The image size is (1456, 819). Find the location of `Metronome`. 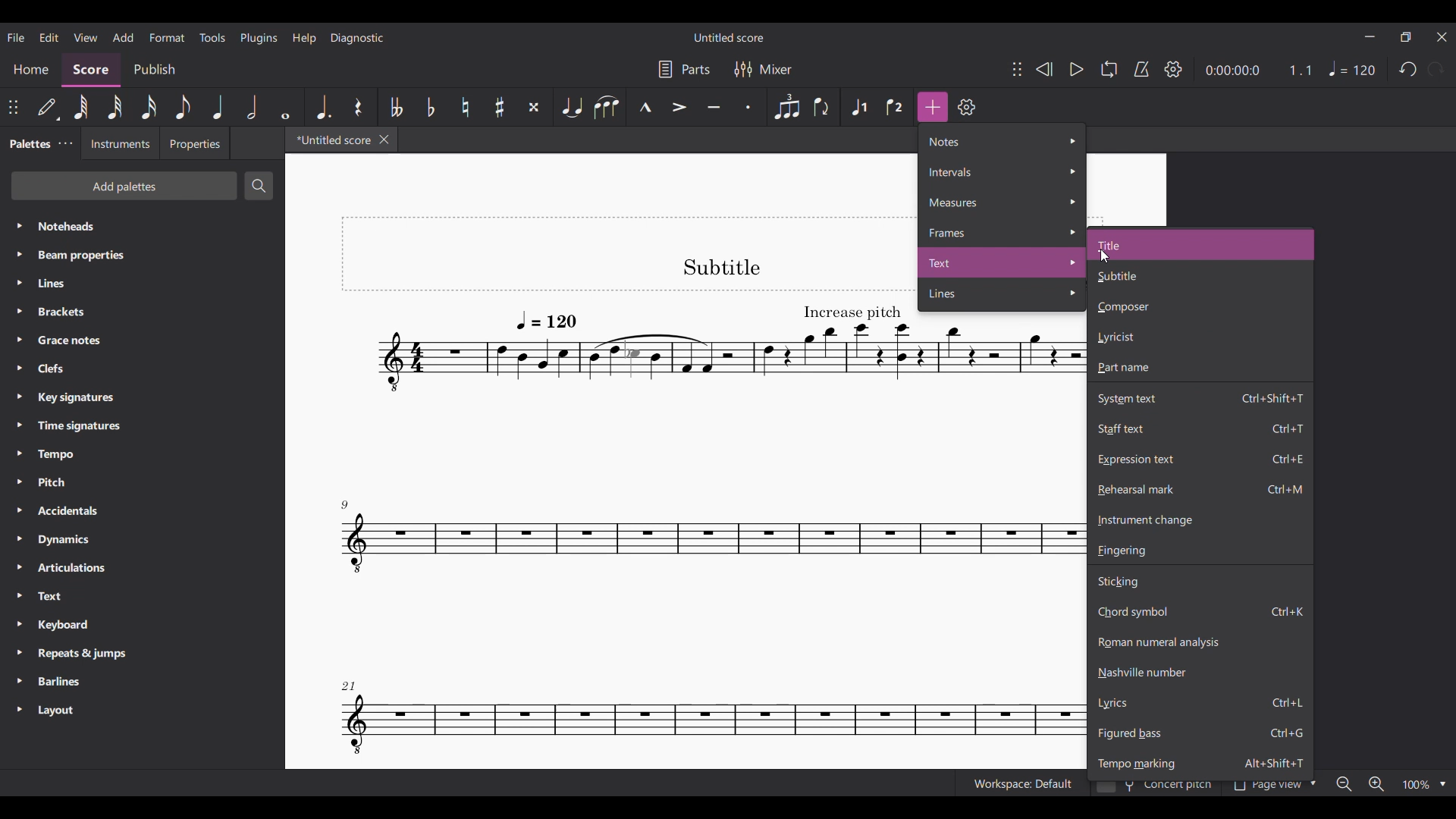

Metronome is located at coordinates (1141, 69).